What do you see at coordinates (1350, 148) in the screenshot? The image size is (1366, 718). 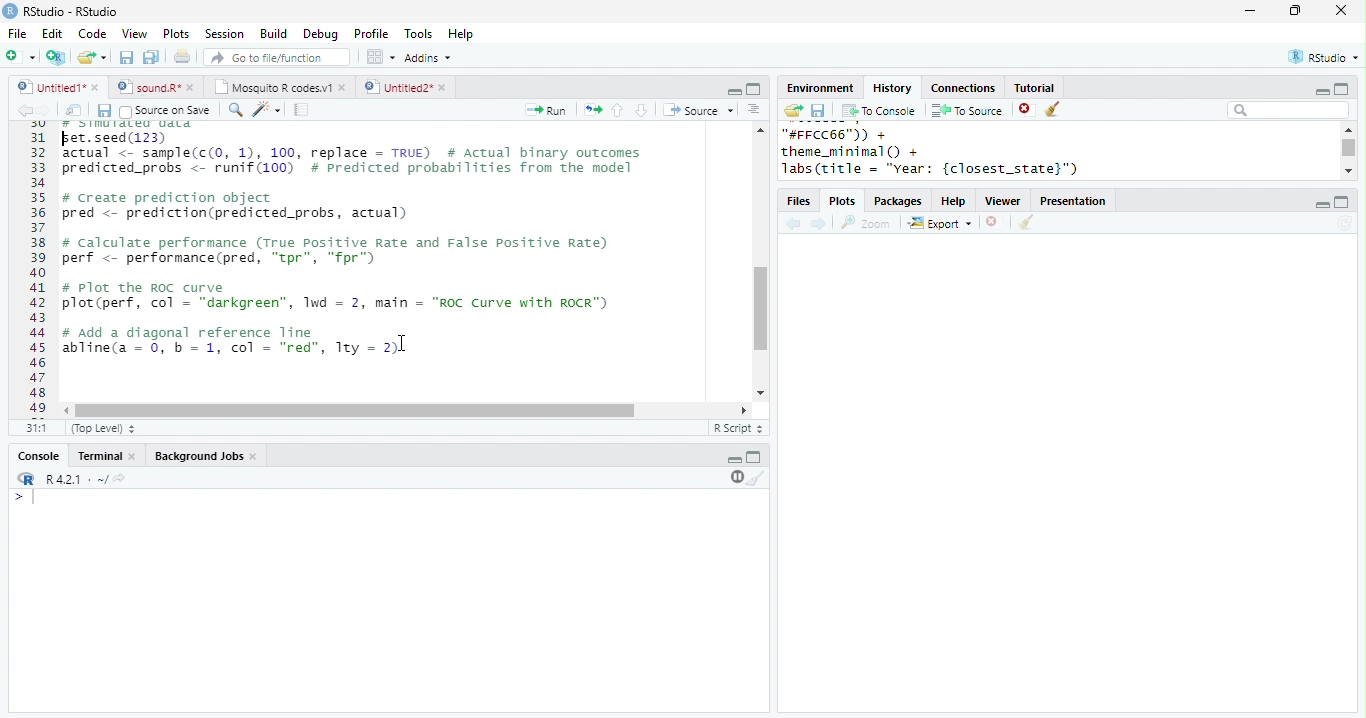 I see `scroll bar` at bounding box center [1350, 148].